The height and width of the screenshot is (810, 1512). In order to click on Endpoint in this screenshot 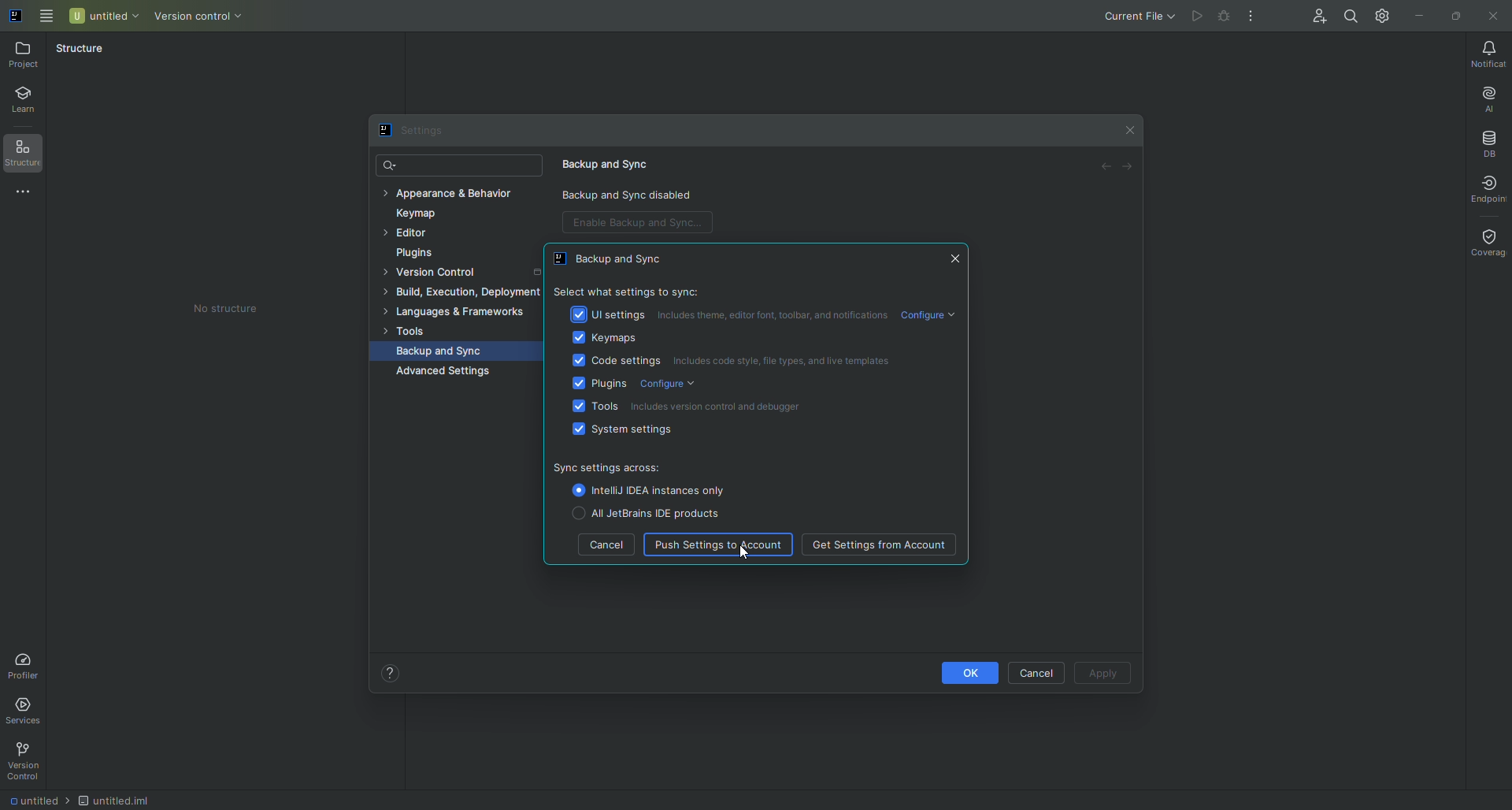, I will do `click(1482, 188)`.